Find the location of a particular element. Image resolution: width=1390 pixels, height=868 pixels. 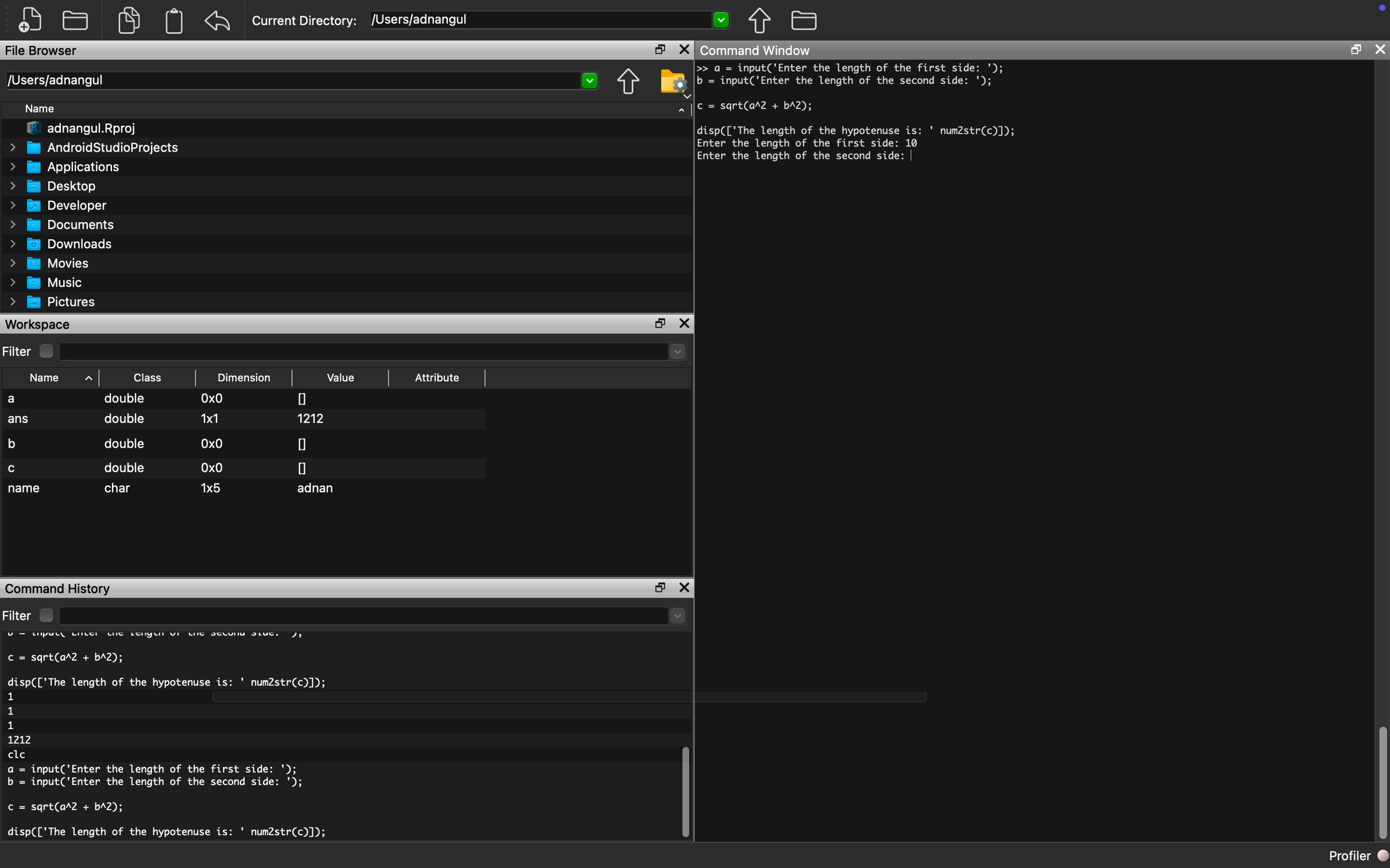

0x0 is located at coordinates (210, 468).